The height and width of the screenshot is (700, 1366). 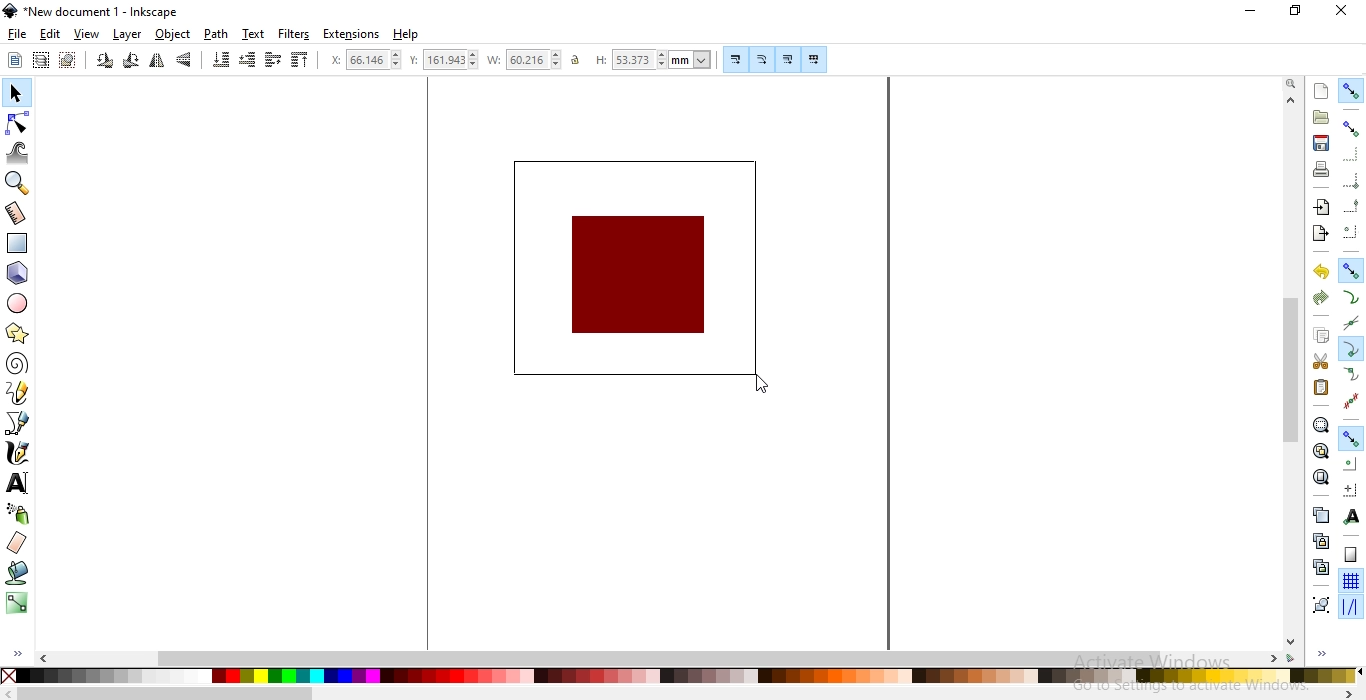 What do you see at coordinates (1318, 362) in the screenshot?
I see `cut selection` at bounding box center [1318, 362].